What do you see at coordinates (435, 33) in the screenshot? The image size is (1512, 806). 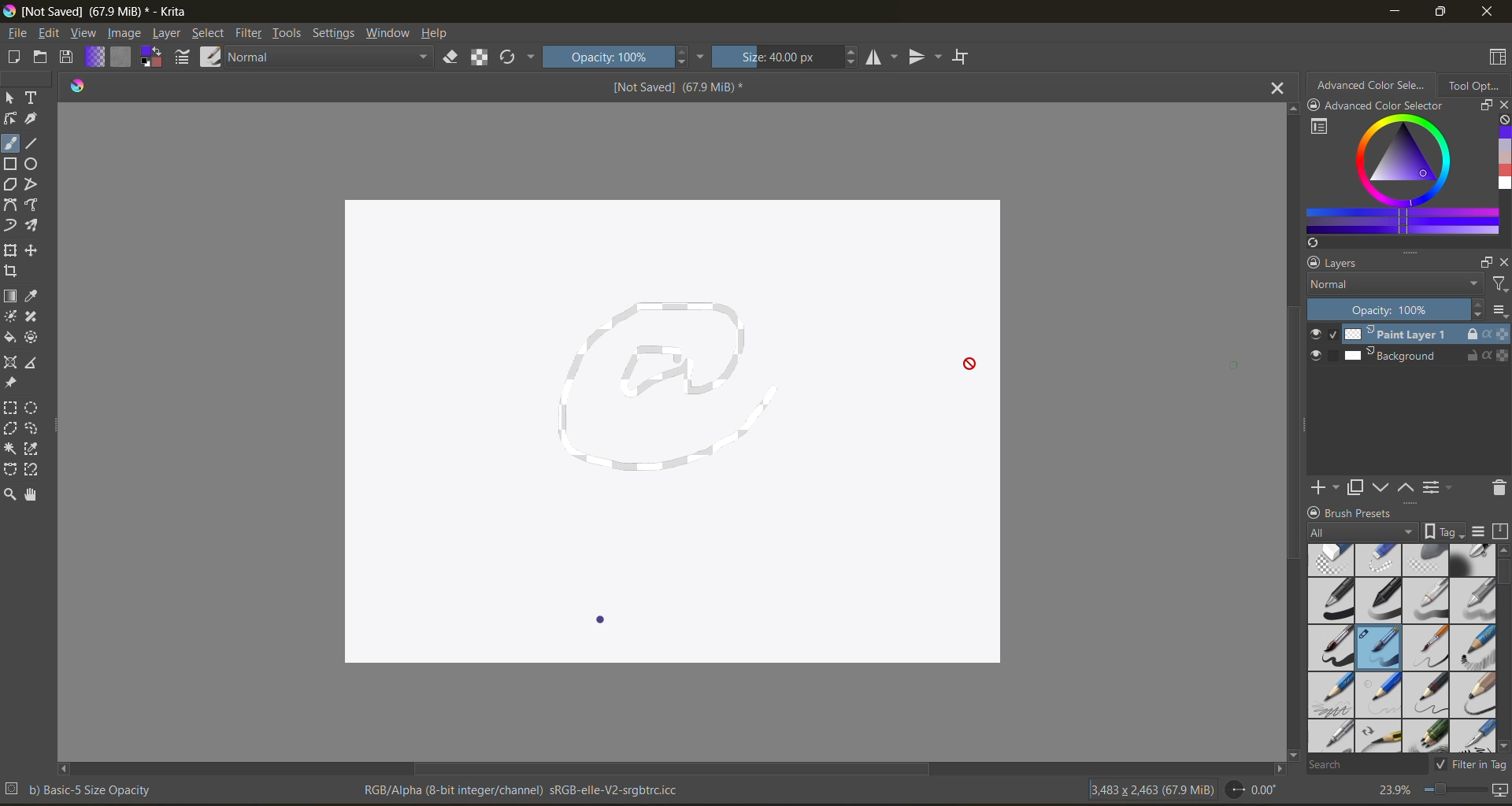 I see `help` at bounding box center [435, 33].